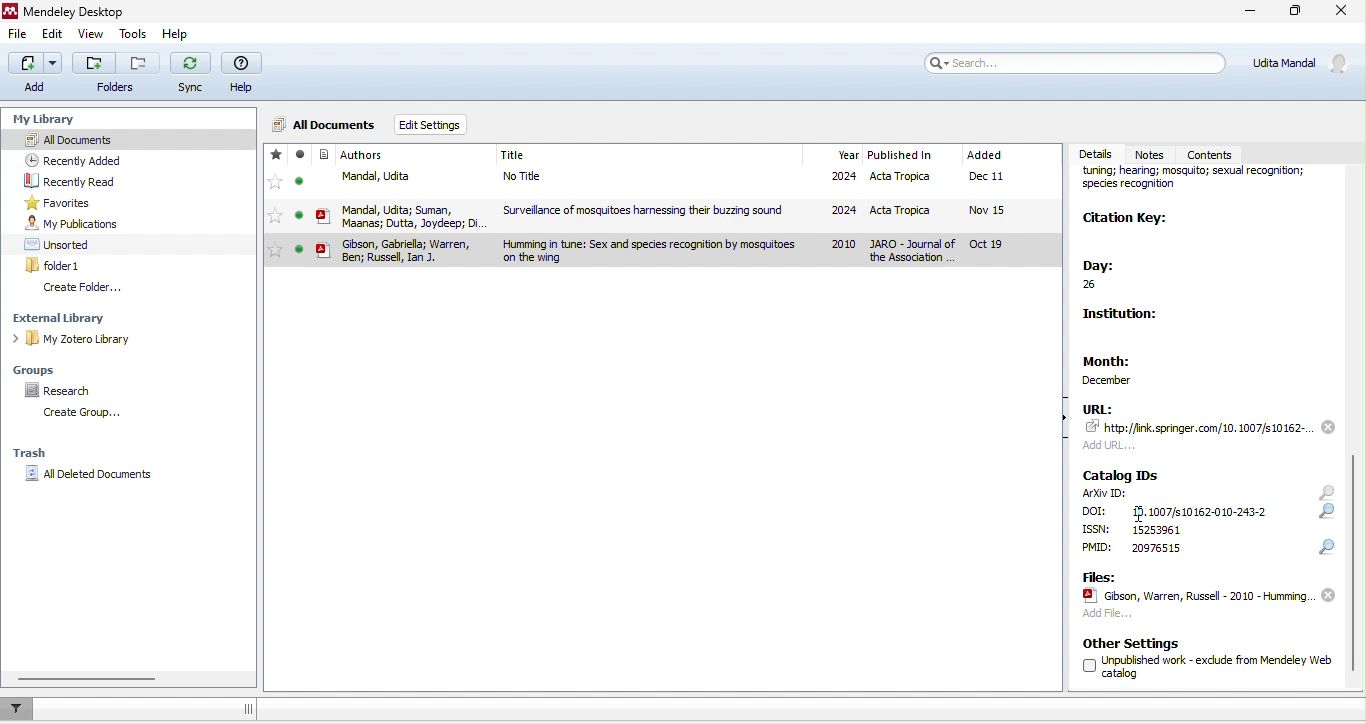  What do you see at coordinates (1247, 13) in the screenshot?
I see `minimize` at bounding box center [1247, 13].